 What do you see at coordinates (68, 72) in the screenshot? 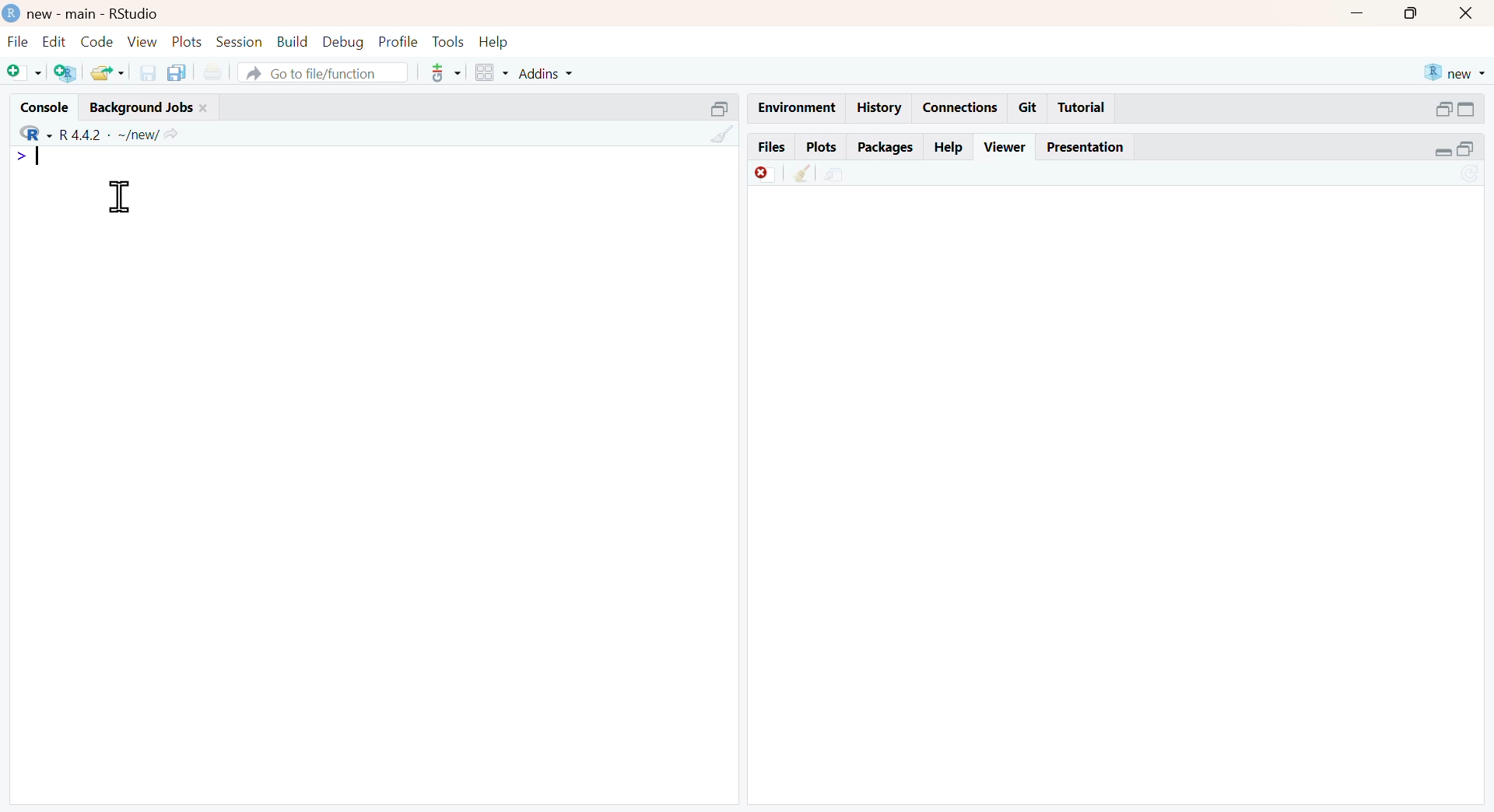
I see `add R file` at bounding box center [68, 72].